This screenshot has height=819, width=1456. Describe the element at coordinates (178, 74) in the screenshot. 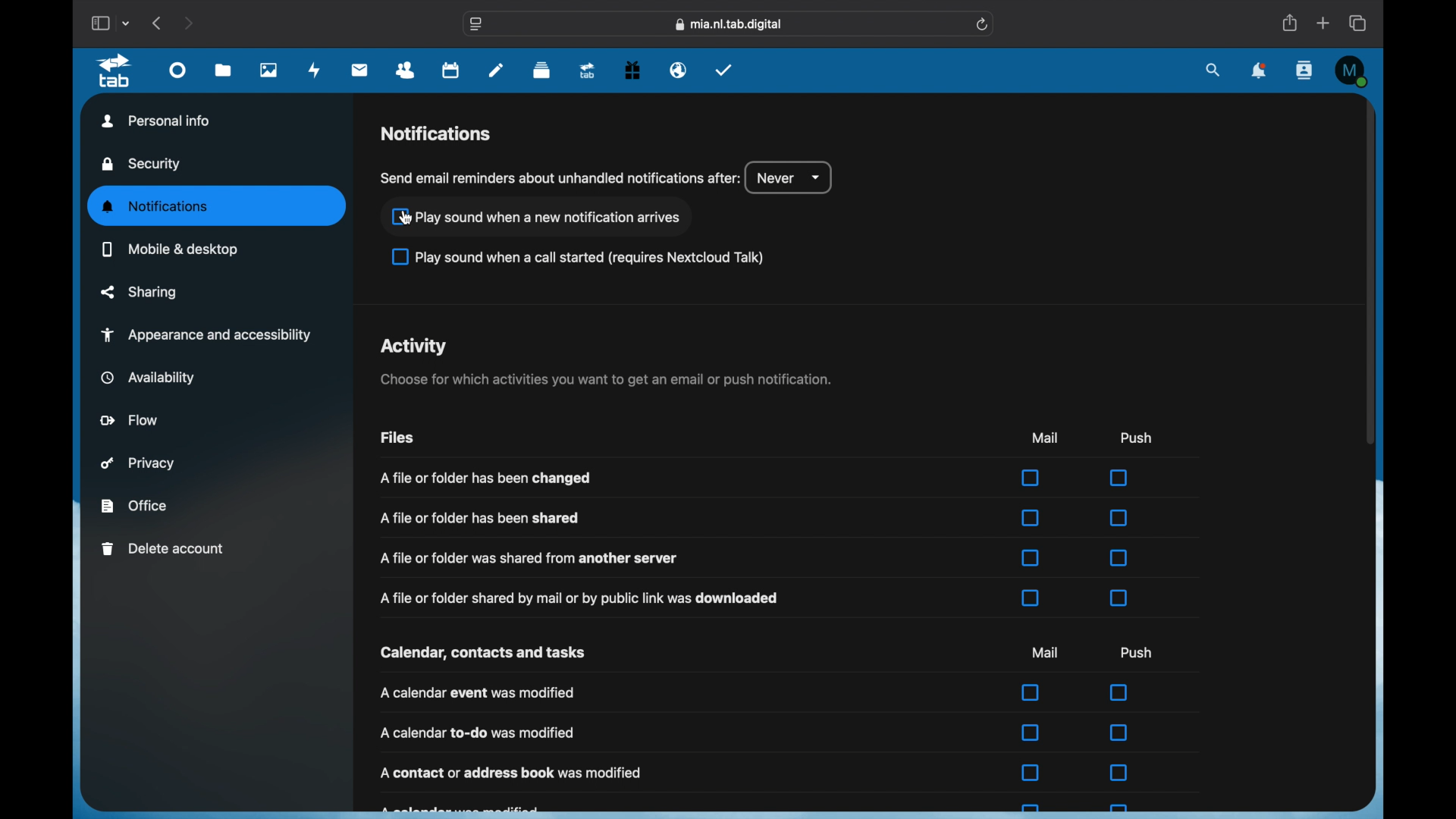

I see `dashboard` at that location.